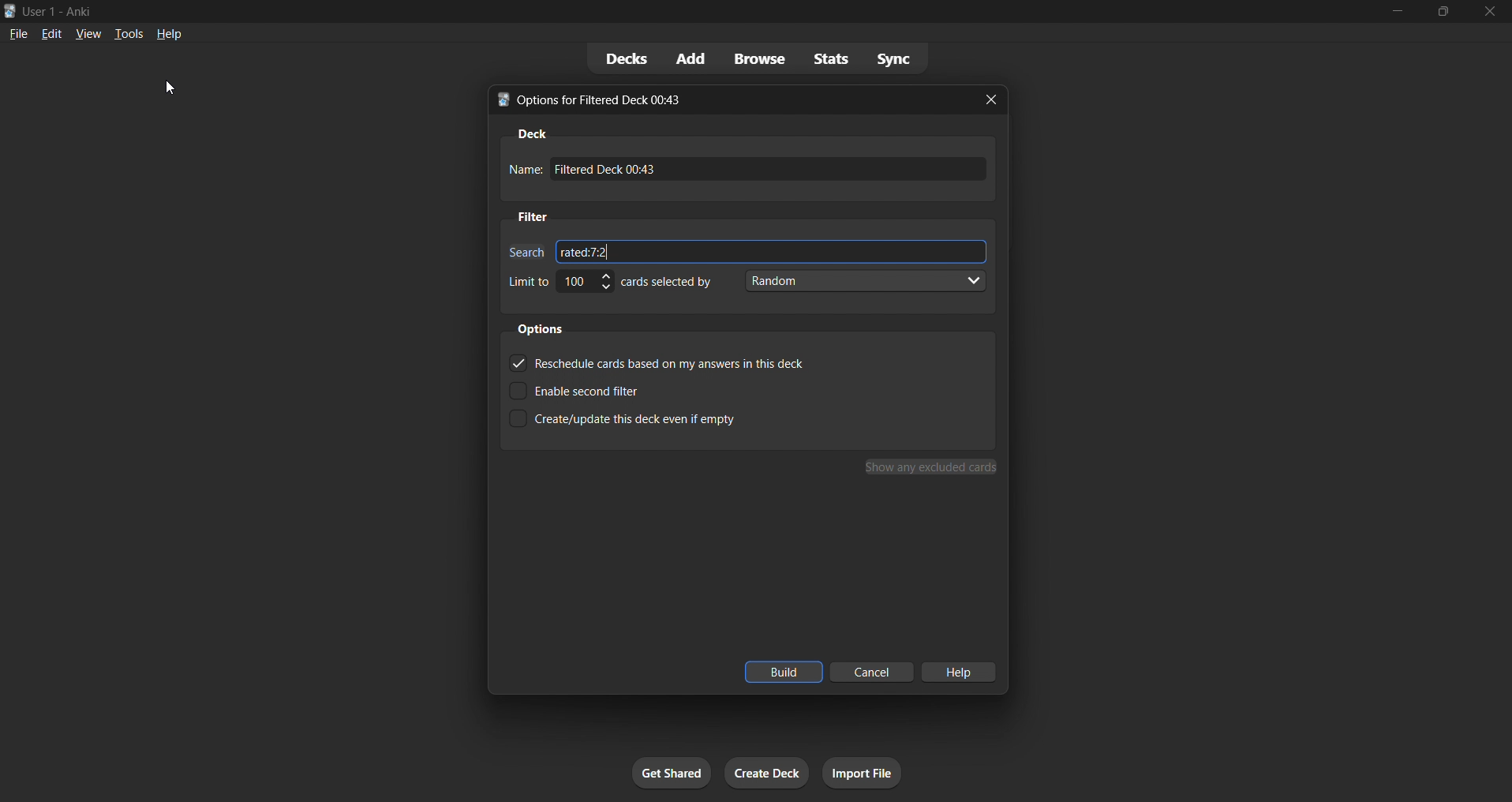 The width and height of the screenshot is (1512, 802). I want to click on name, so click(522, 170).